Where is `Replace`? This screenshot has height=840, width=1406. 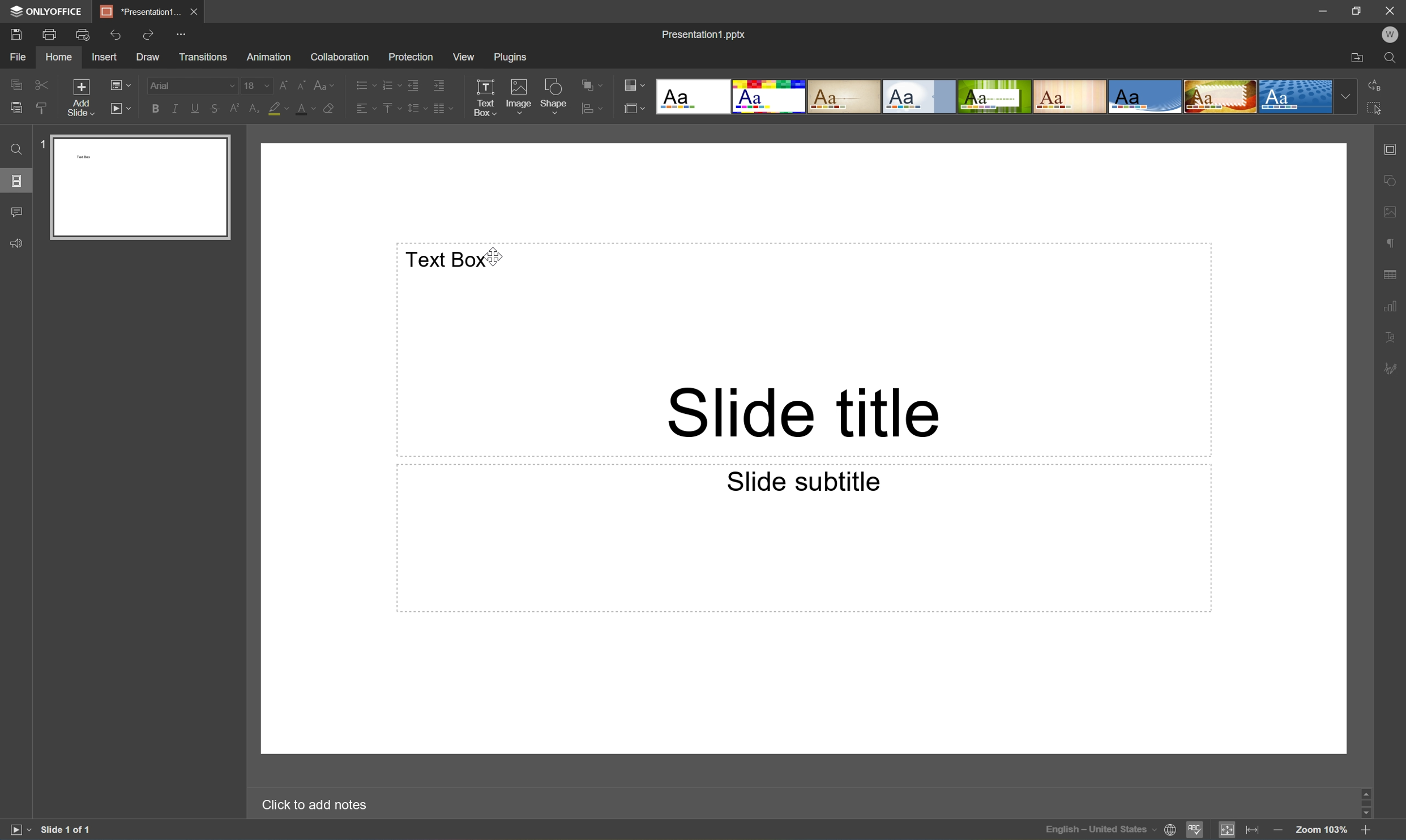
Replace is located at coordinates (1375, 84).